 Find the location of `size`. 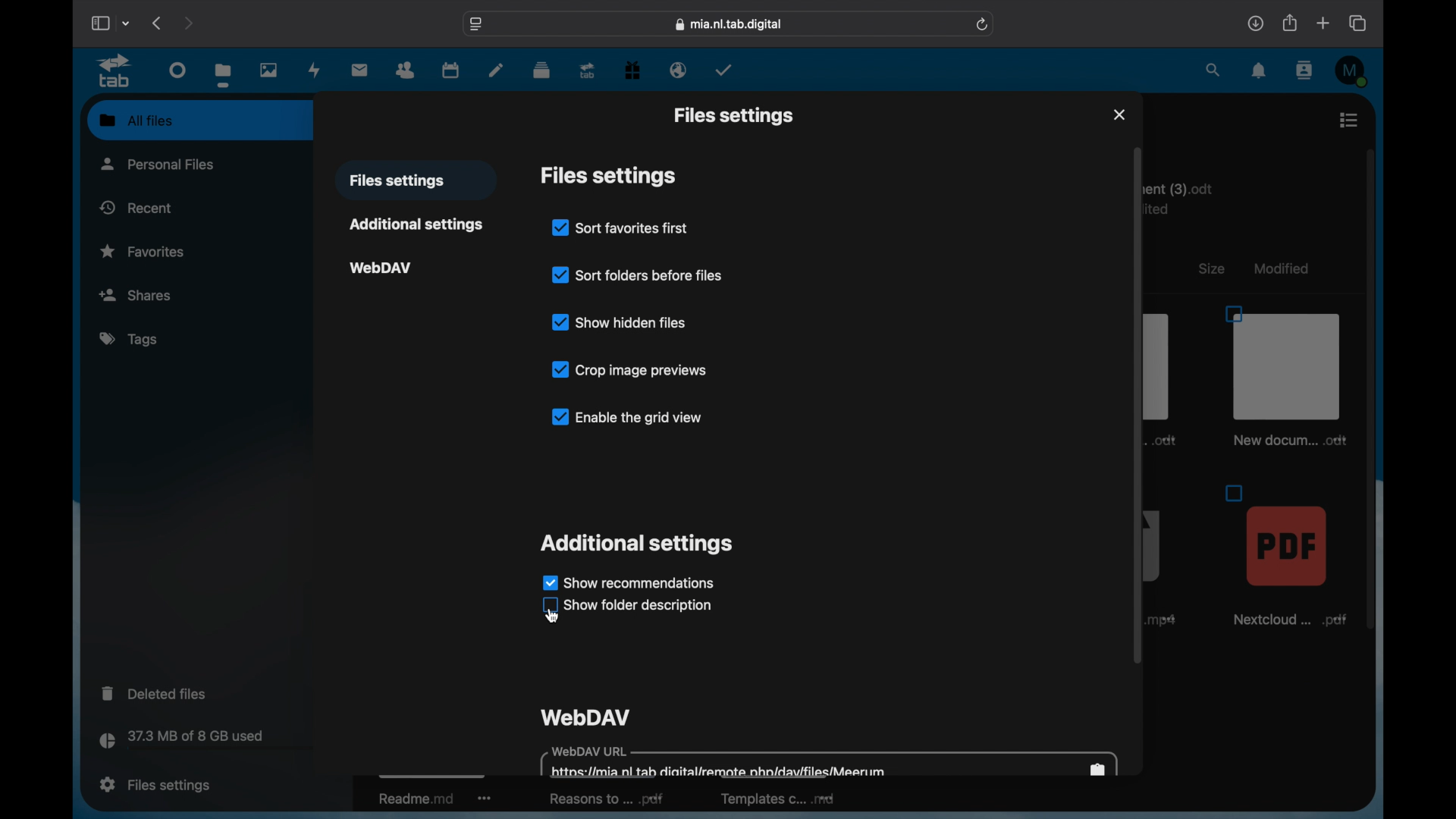

size is located at coordinates (1214, 268).